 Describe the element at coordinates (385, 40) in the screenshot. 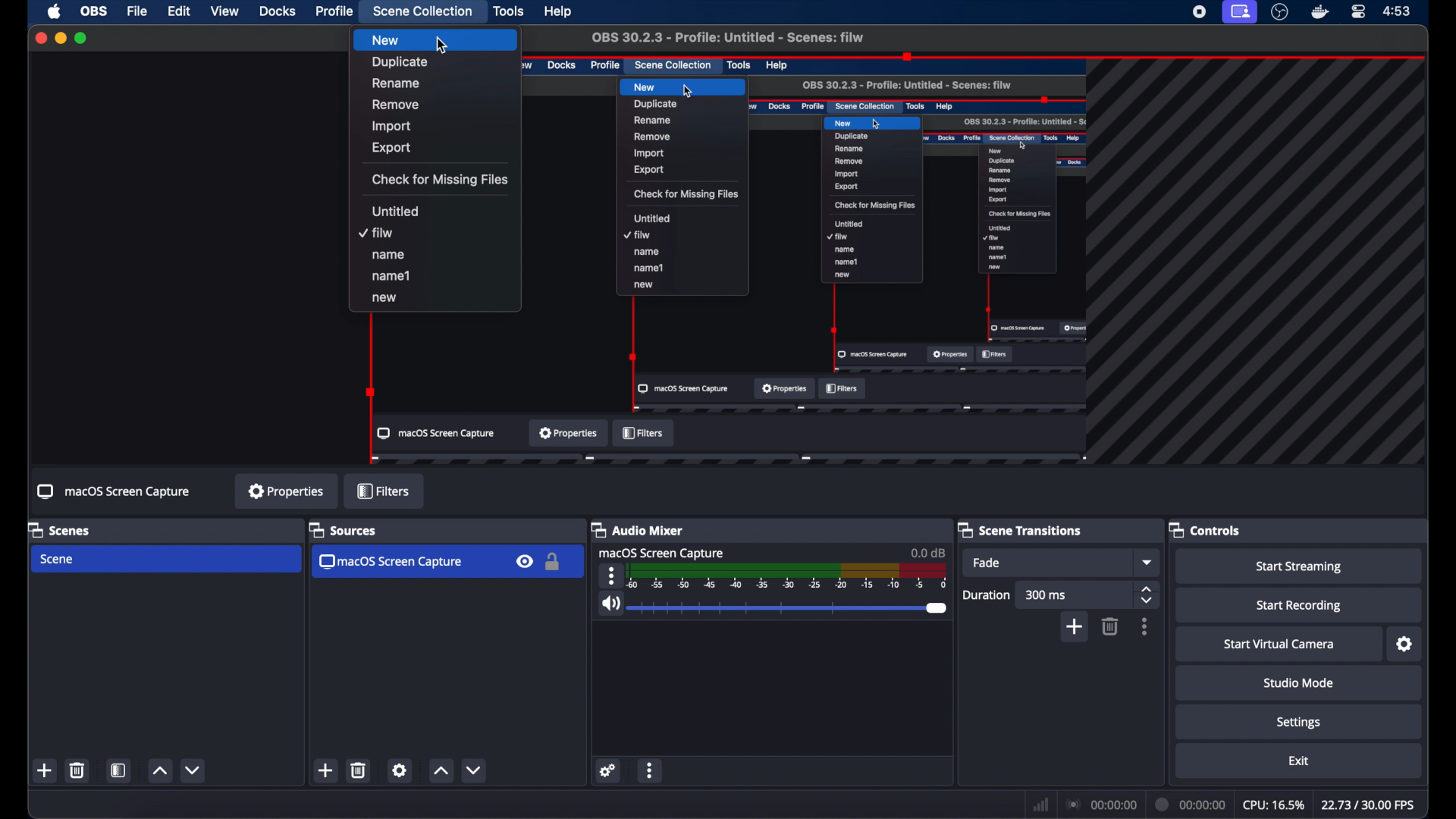

I see `new` at that location.